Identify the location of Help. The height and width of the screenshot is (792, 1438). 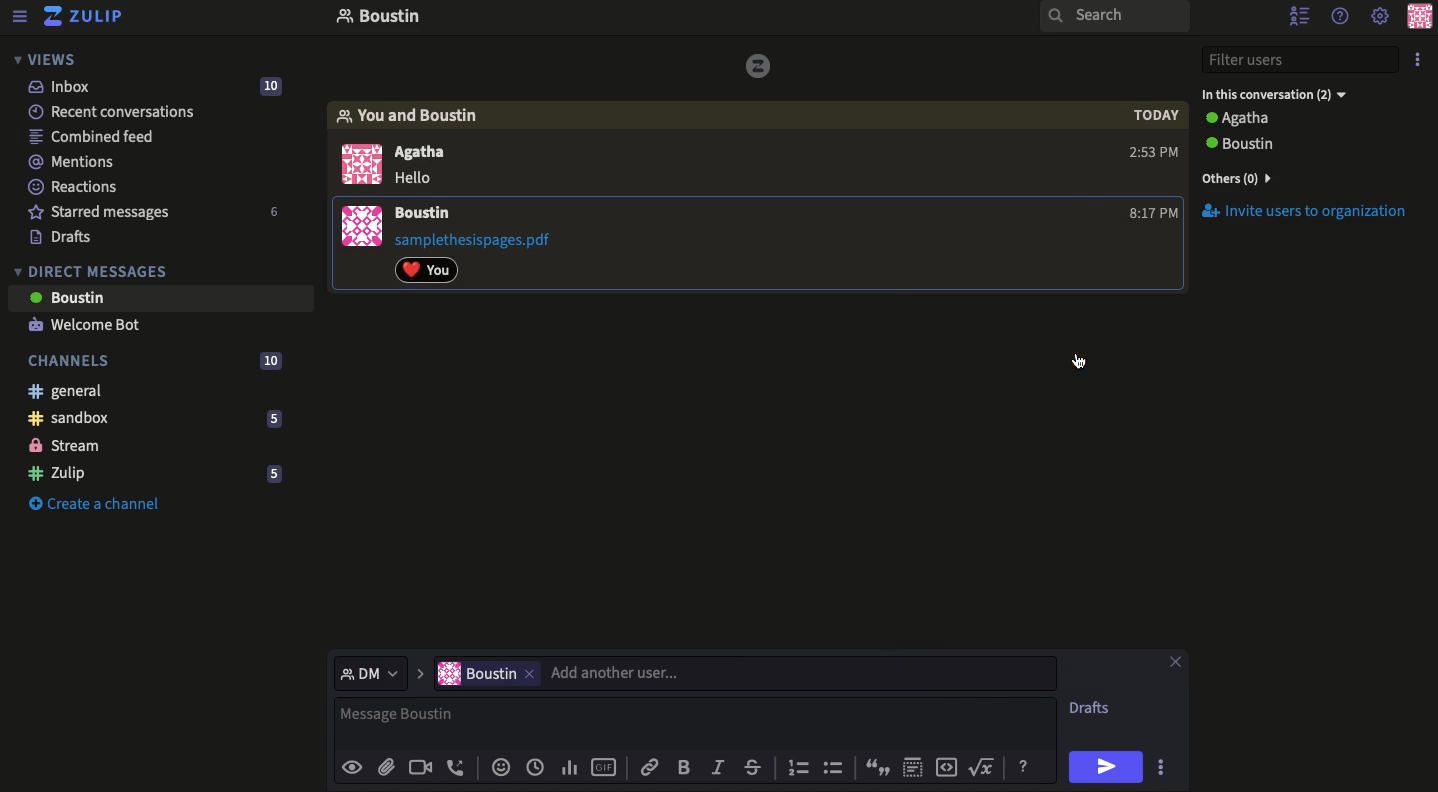
(1024, 765).